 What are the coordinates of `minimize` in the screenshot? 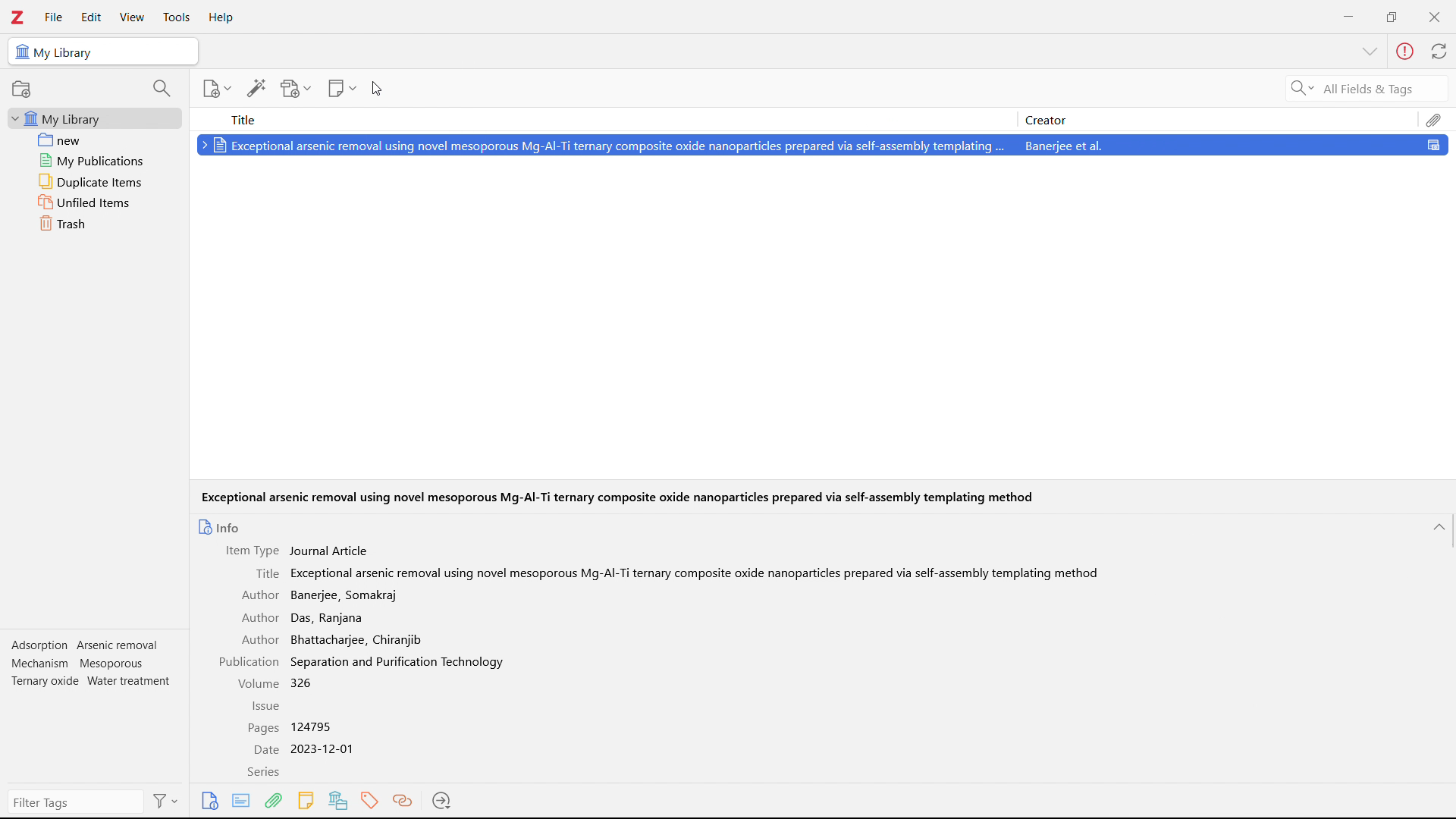 It's located at (1350, 15).